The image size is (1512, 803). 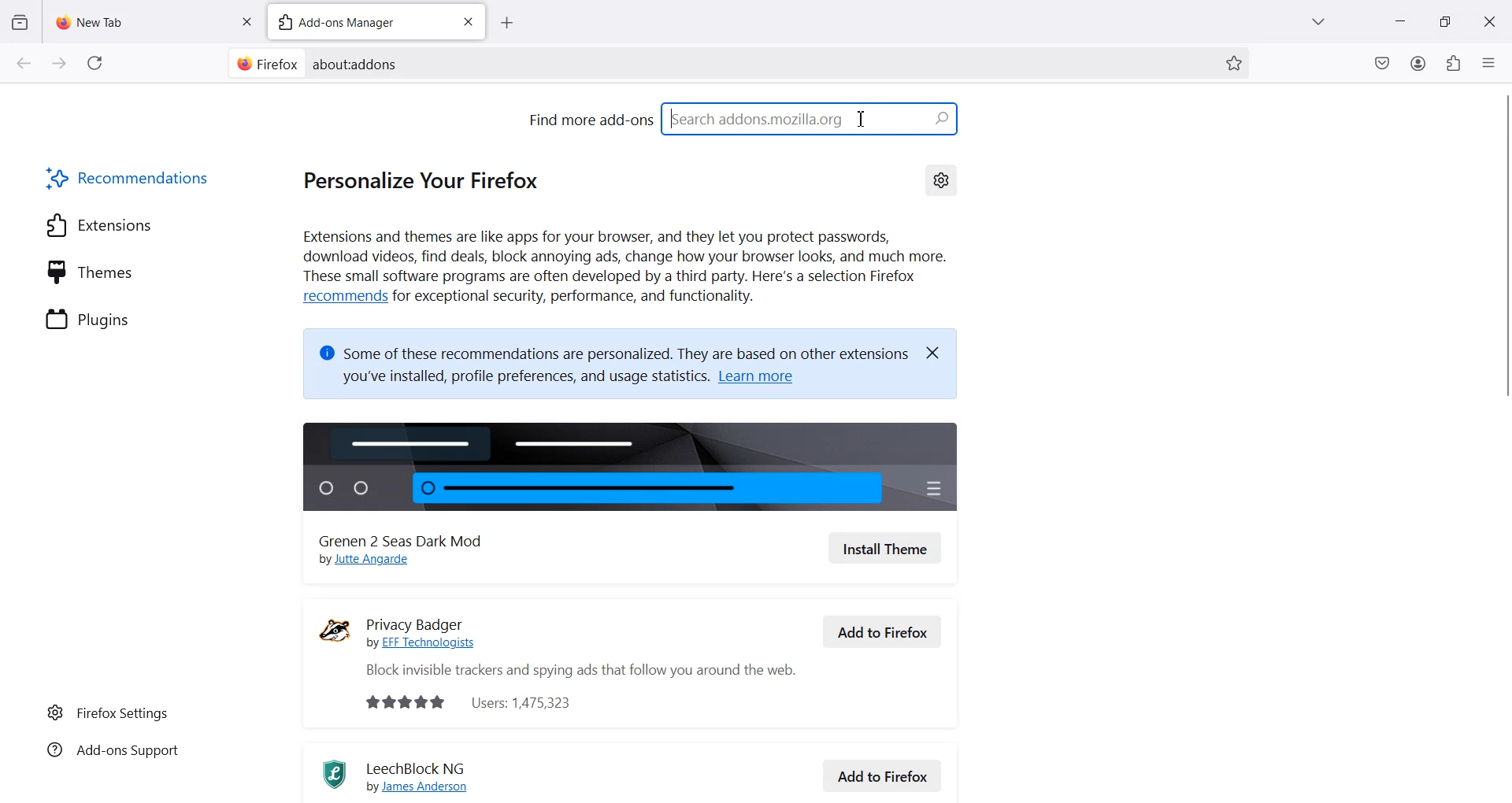 What do you see at coordinates (328, 774) in the screenshot?
I see `Logo` at bounding box center [328, 774].